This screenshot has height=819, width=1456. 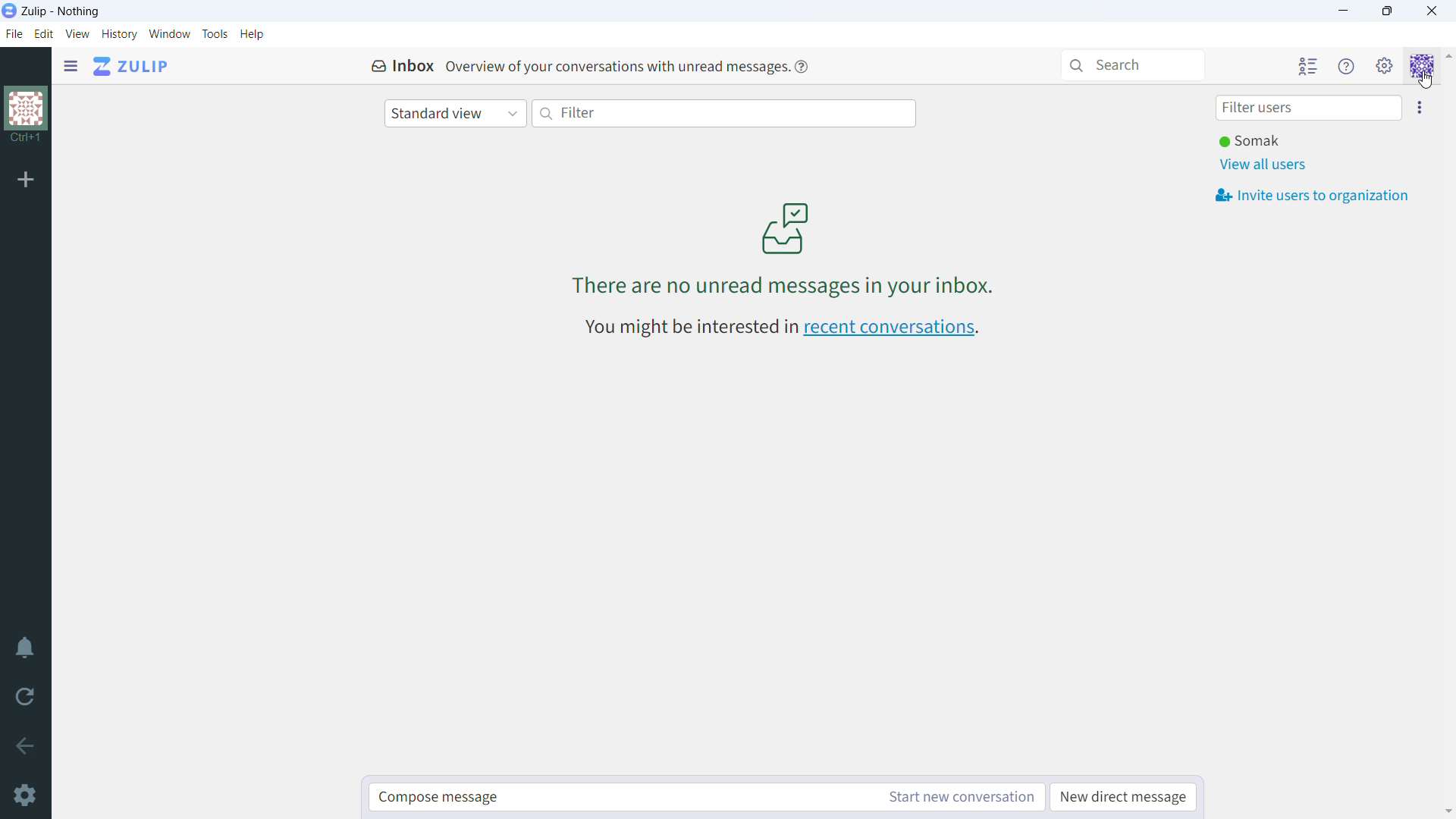 What do you see at coordinates (24, 795) in the screenshot?
I see `settings` at bounding box center [24, 795].